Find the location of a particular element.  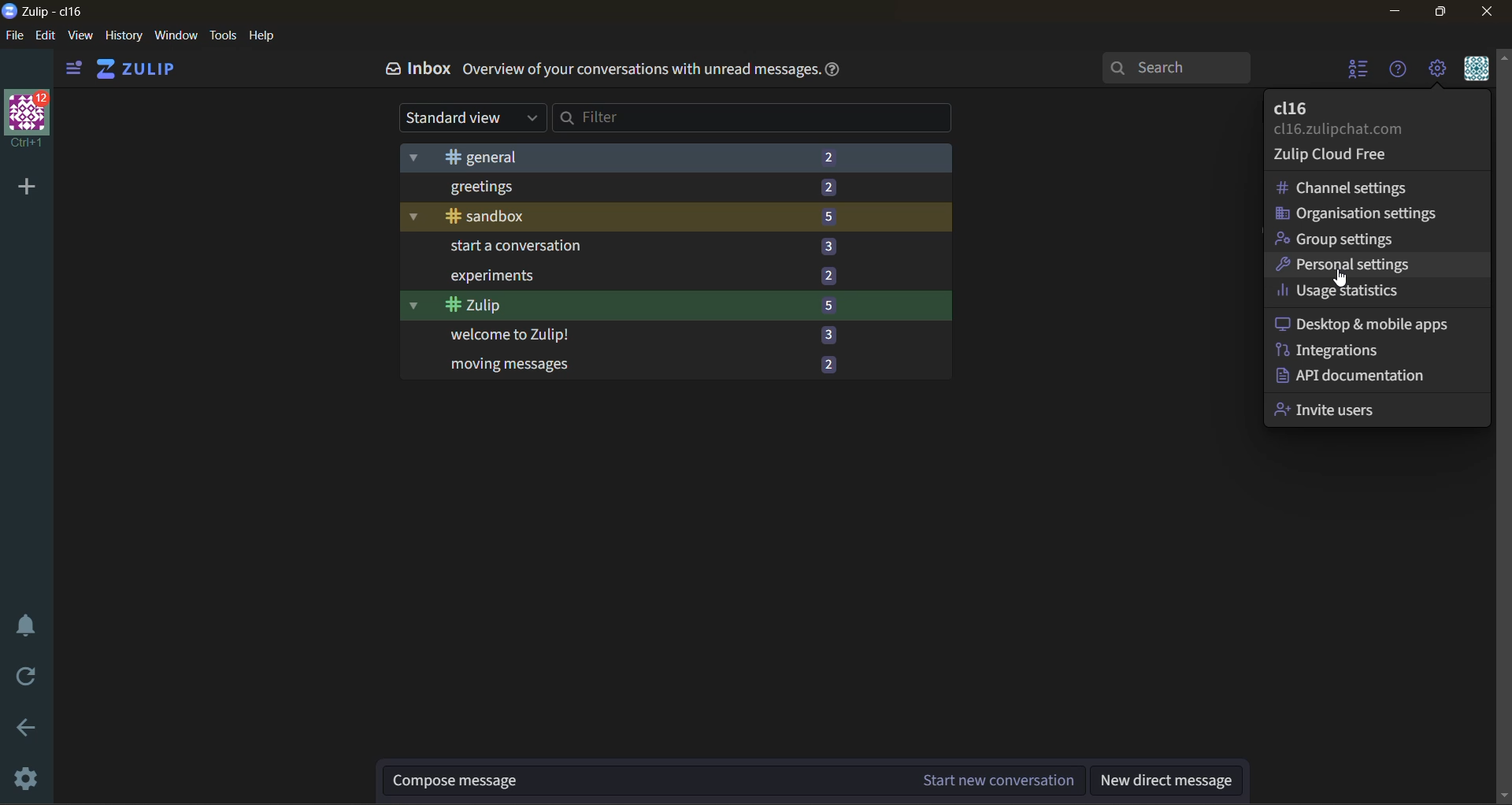

organisation name and profile picture is located at coordinates (28, 117).